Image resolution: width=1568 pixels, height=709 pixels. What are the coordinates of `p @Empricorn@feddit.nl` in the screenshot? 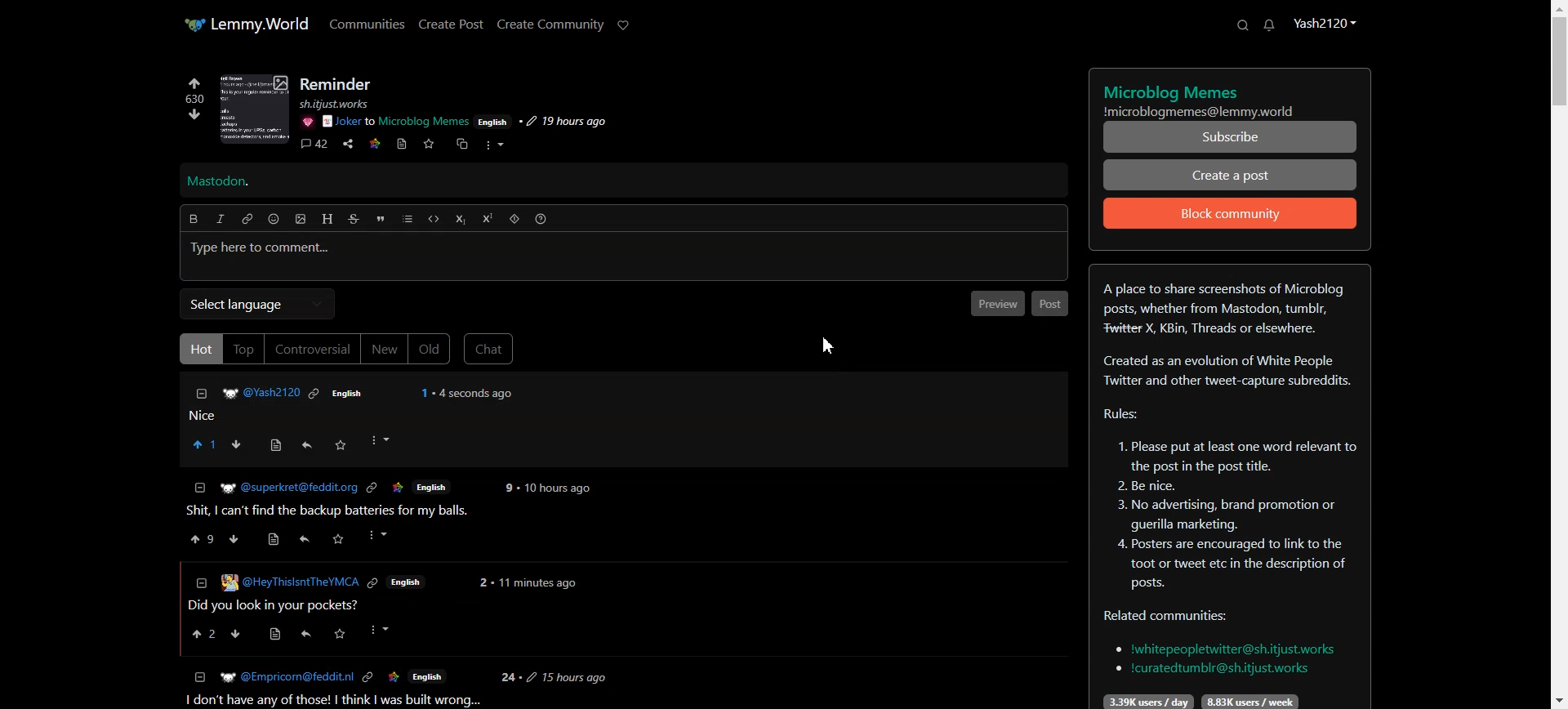 It's located at (286, 676).